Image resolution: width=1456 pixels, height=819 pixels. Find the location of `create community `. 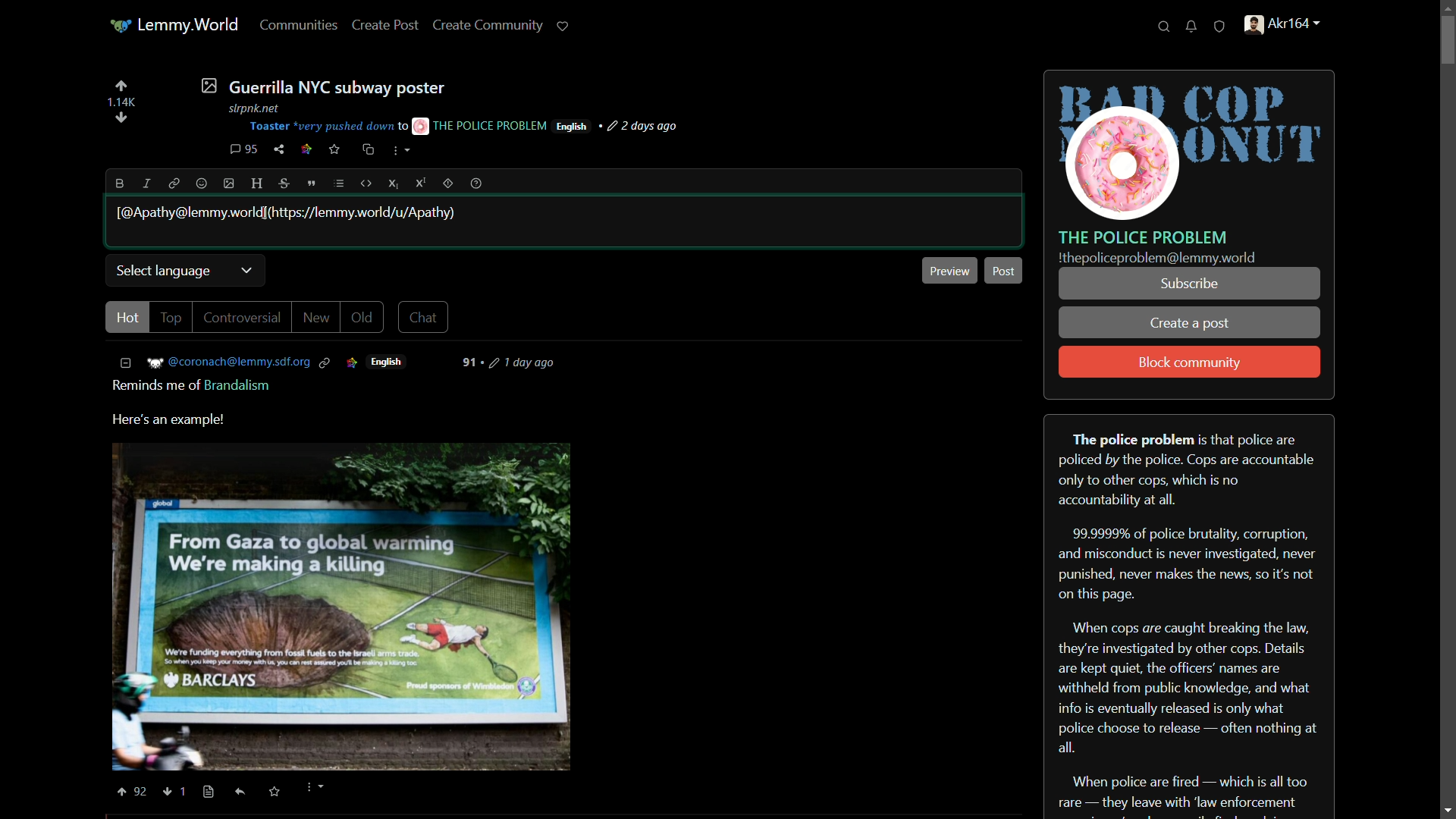

create community  is located at coordinates (491, 24).